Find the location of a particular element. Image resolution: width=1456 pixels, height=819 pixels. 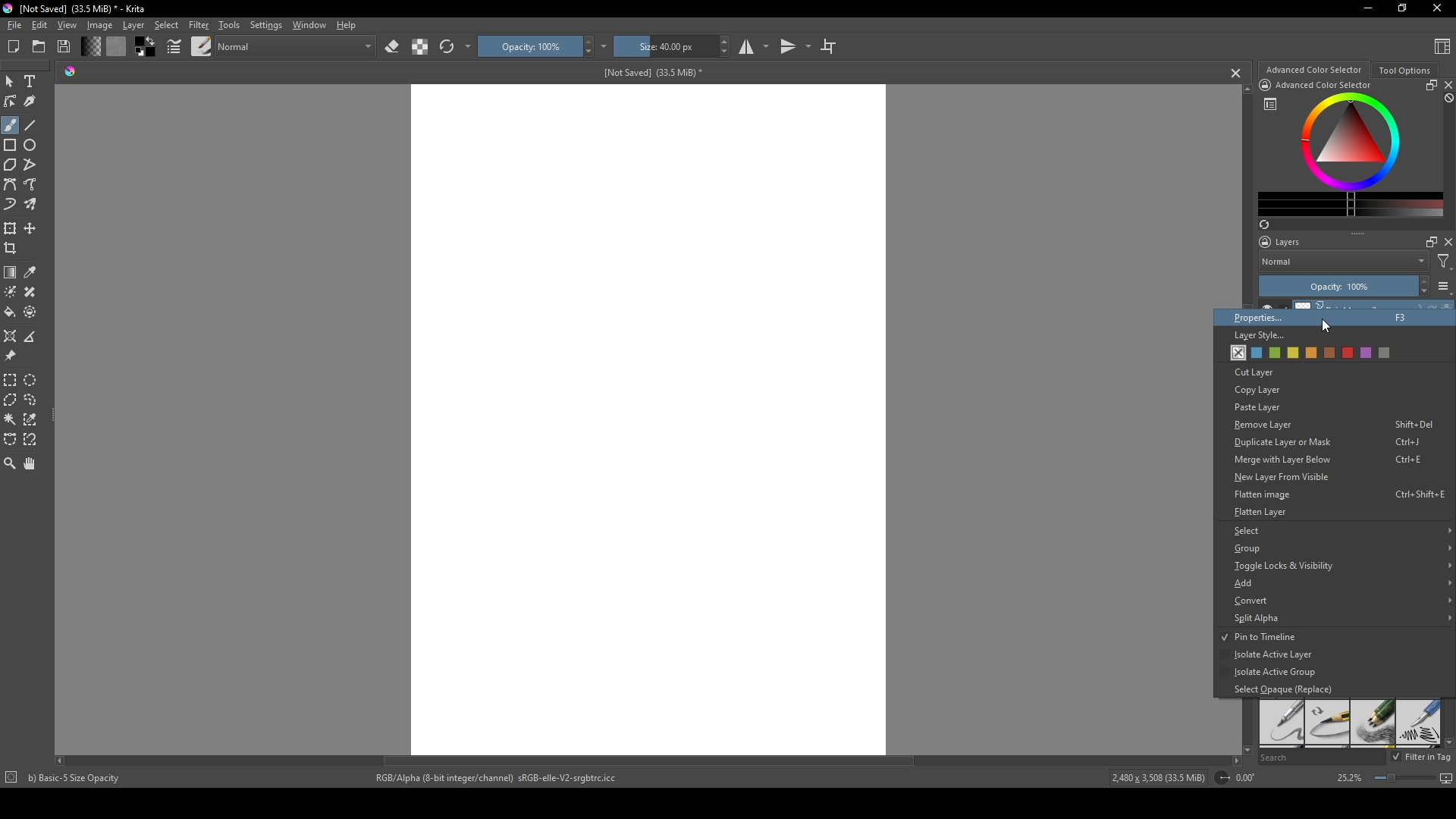

colorize mask is located at coordinates (11, 291).